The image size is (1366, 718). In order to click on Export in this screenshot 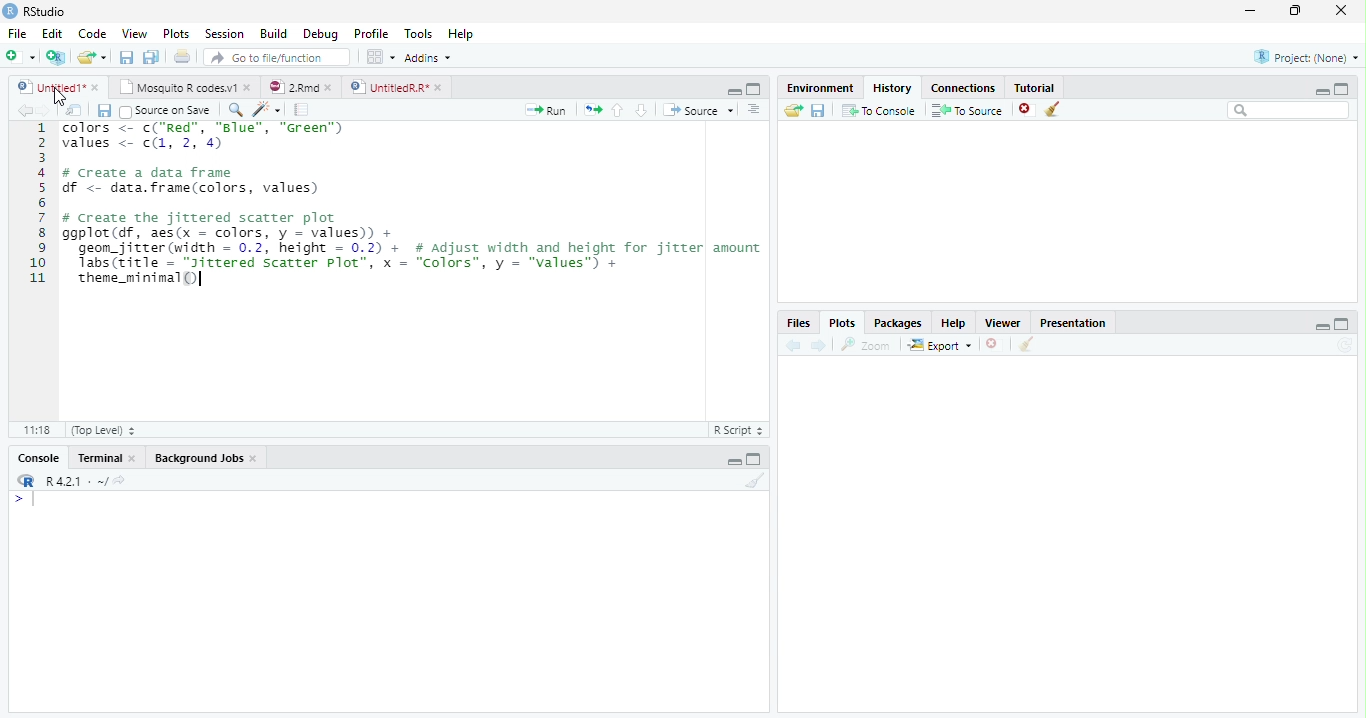, I will do `click(941, 344)`.